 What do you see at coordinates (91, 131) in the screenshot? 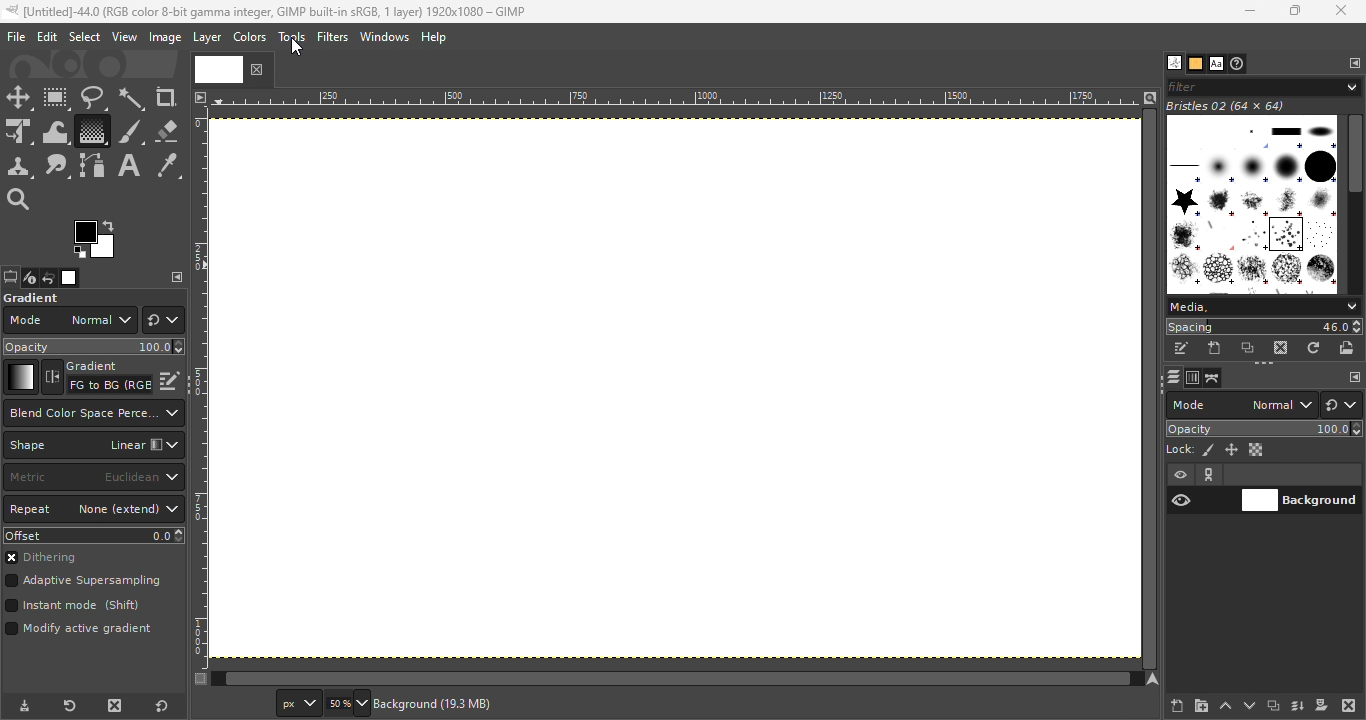
I see `Gradient tool` at bounding box center [91, 131].